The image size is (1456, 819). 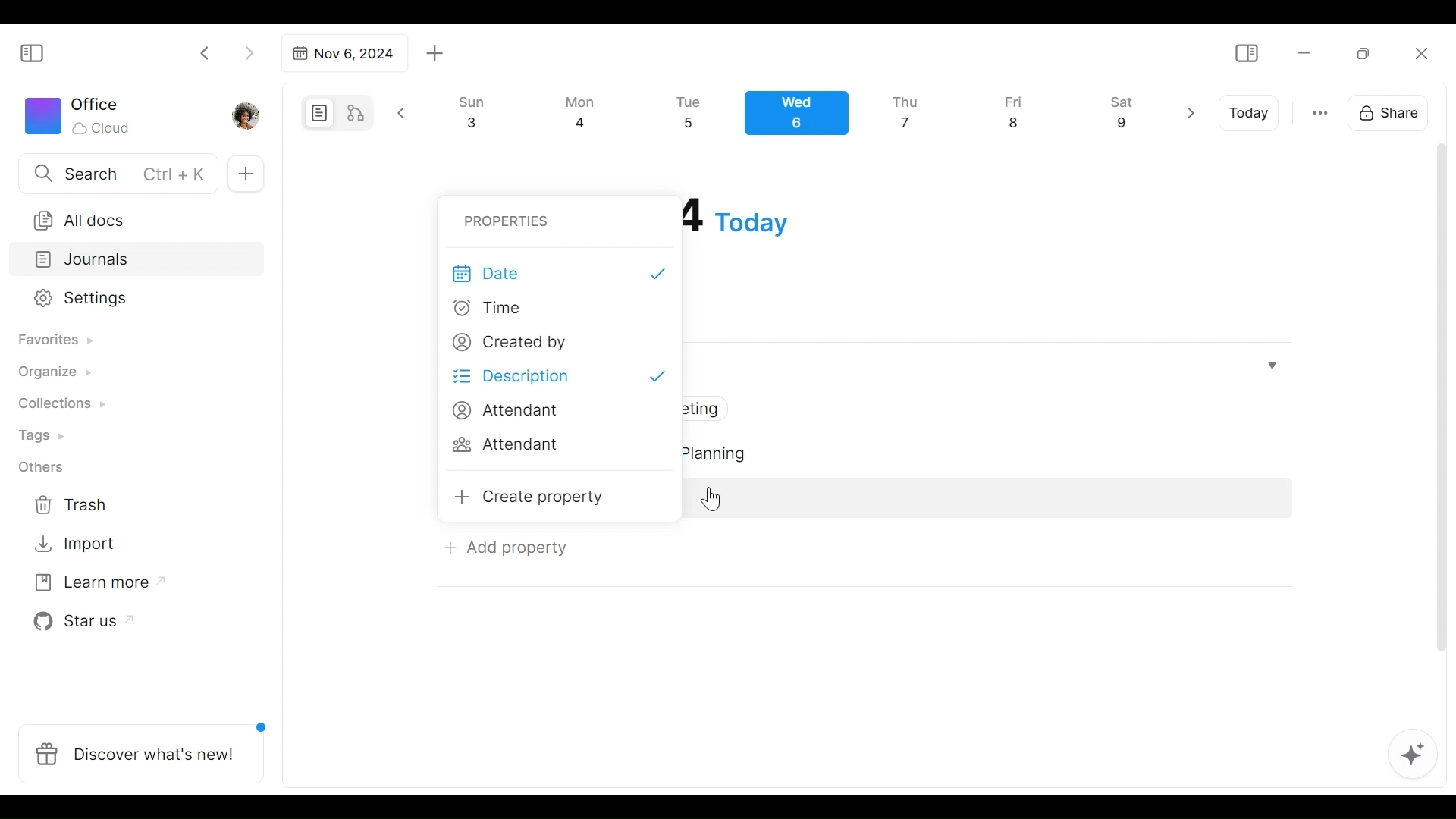 I want to click on Trash, so click(x=72, y=505).